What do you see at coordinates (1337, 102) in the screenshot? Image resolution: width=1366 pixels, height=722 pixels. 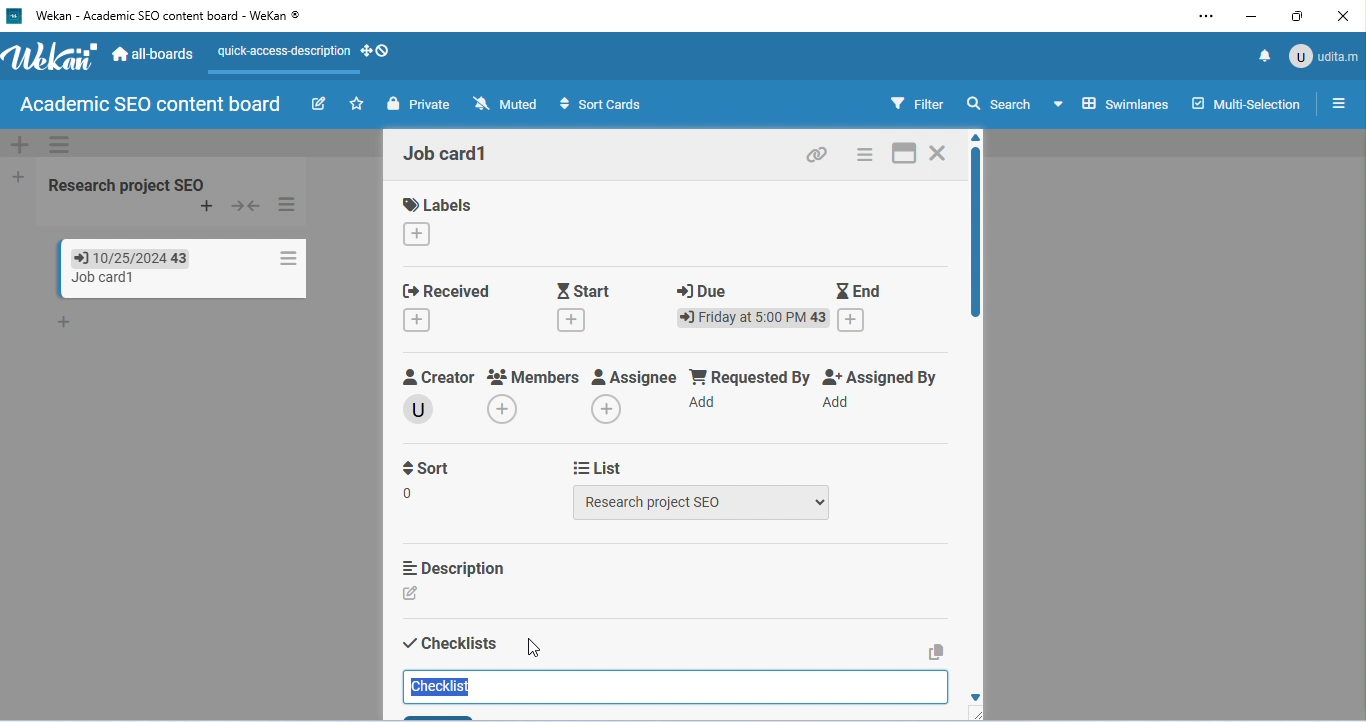 I see `open / close side bar` at bounding box center [1337, 102].